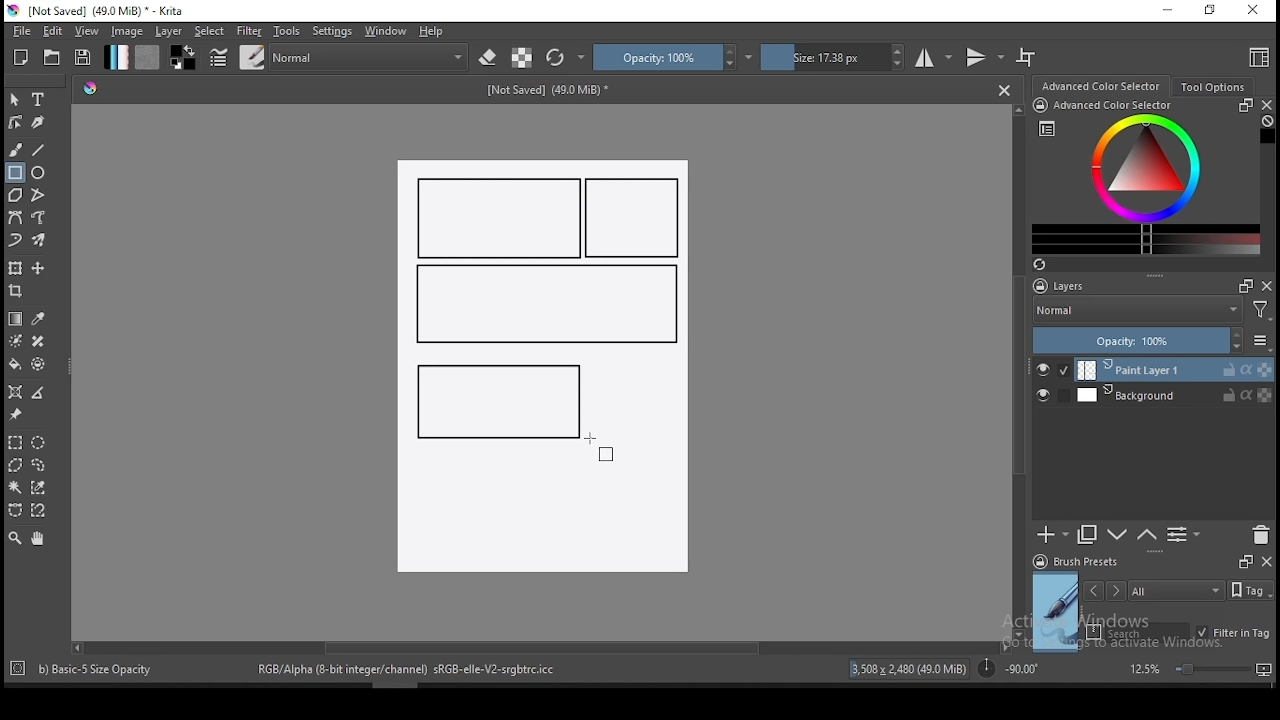 The width and height of the screenshot is (1280, 720). Describe the element at coordinates (15, 364) in the screenshot. I see `paint bucket tool` at that location.